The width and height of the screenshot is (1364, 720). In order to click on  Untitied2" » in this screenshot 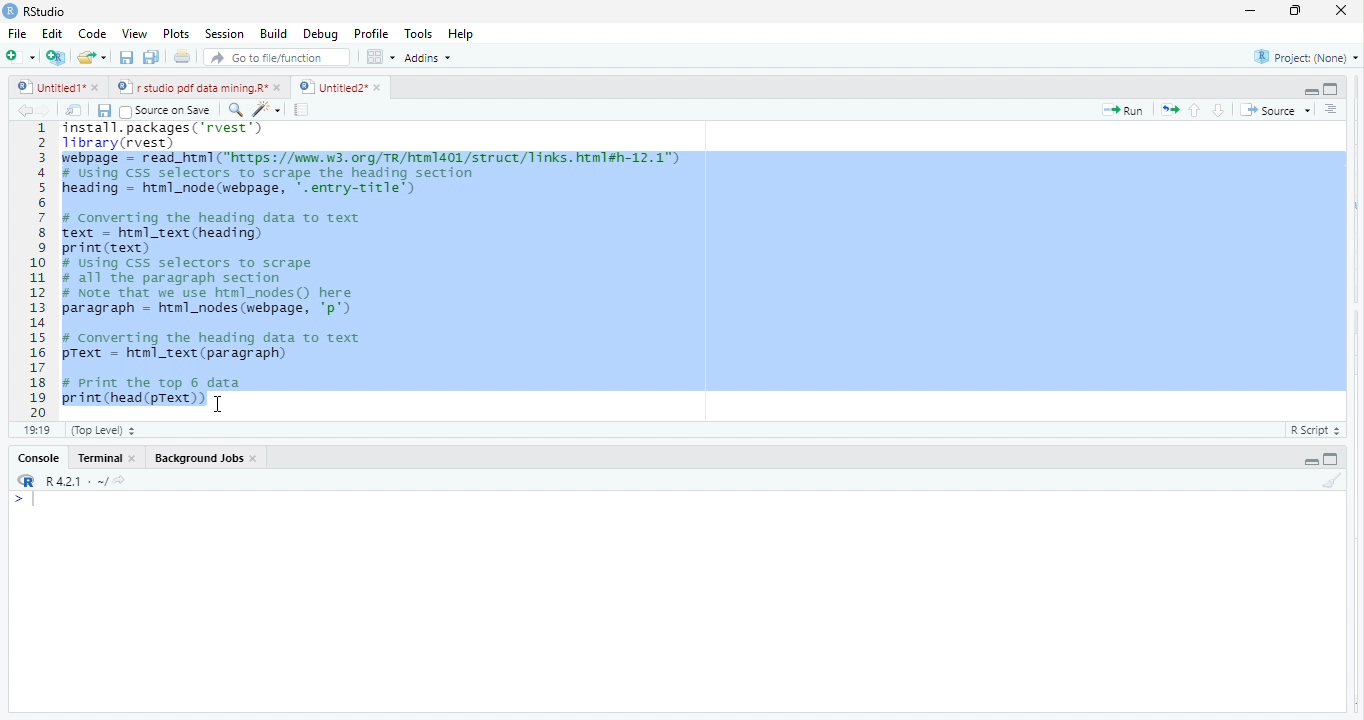, I will do `click(337, 88)`.